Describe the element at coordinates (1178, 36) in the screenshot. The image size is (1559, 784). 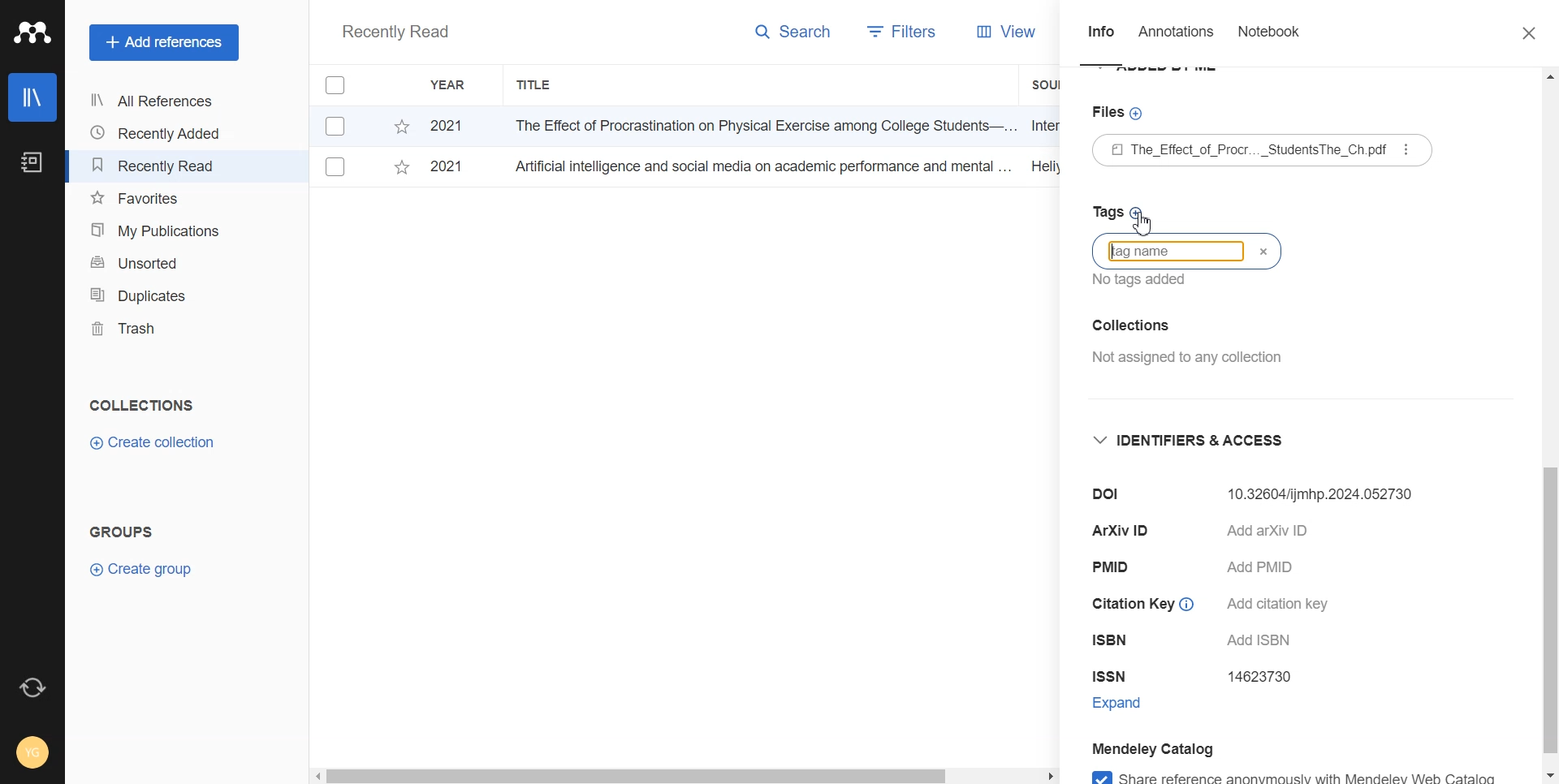
I see `Annotations` at that location.